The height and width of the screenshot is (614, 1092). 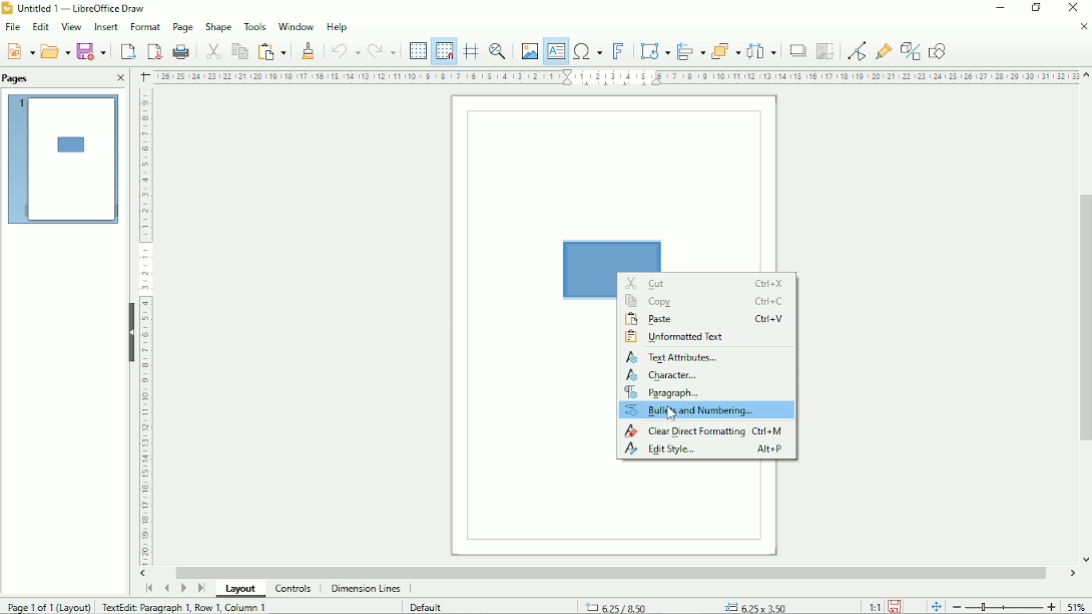 I want to click on Save, so click(x=92, y=51).